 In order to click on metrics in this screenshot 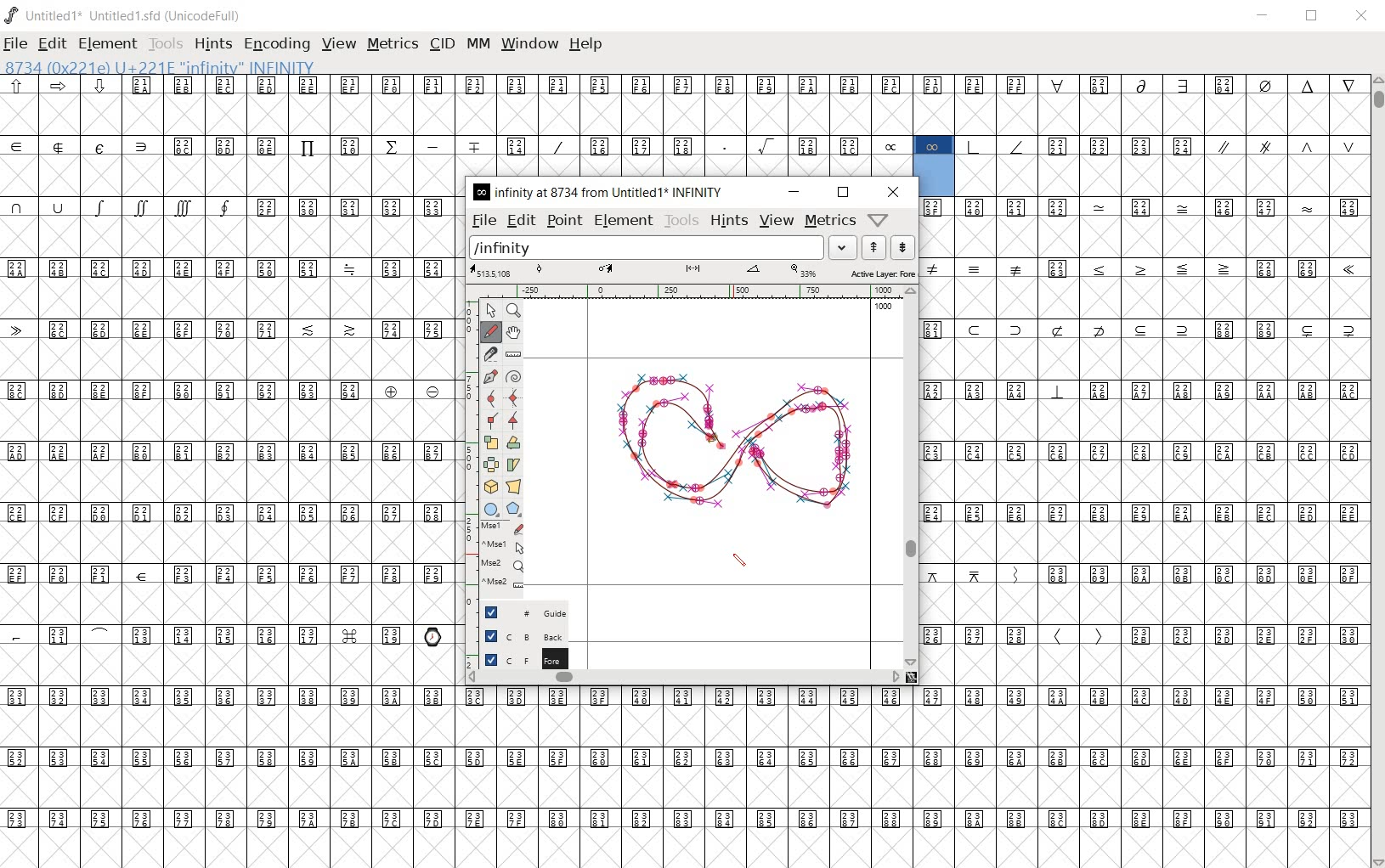, I will do `click(394, 43)`.